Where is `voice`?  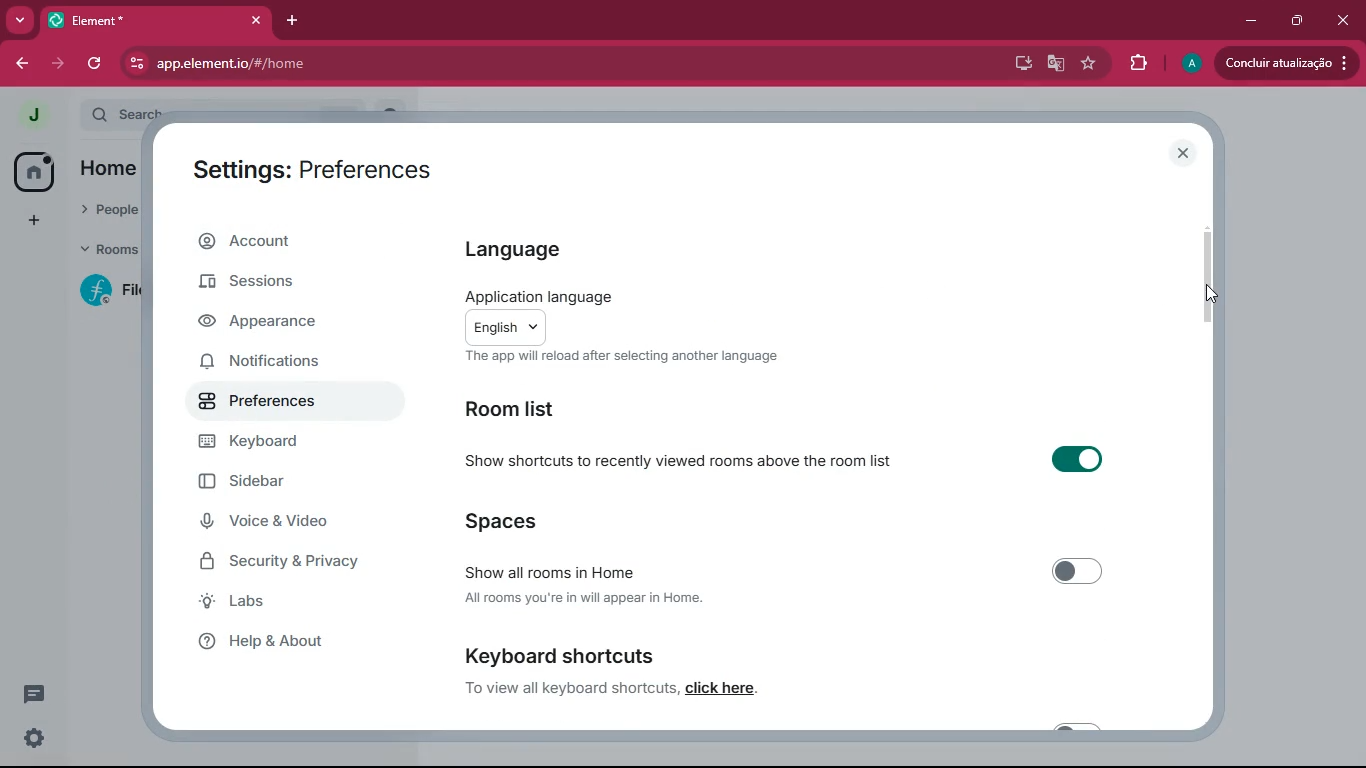 voice is located at coordinates (284, 524).